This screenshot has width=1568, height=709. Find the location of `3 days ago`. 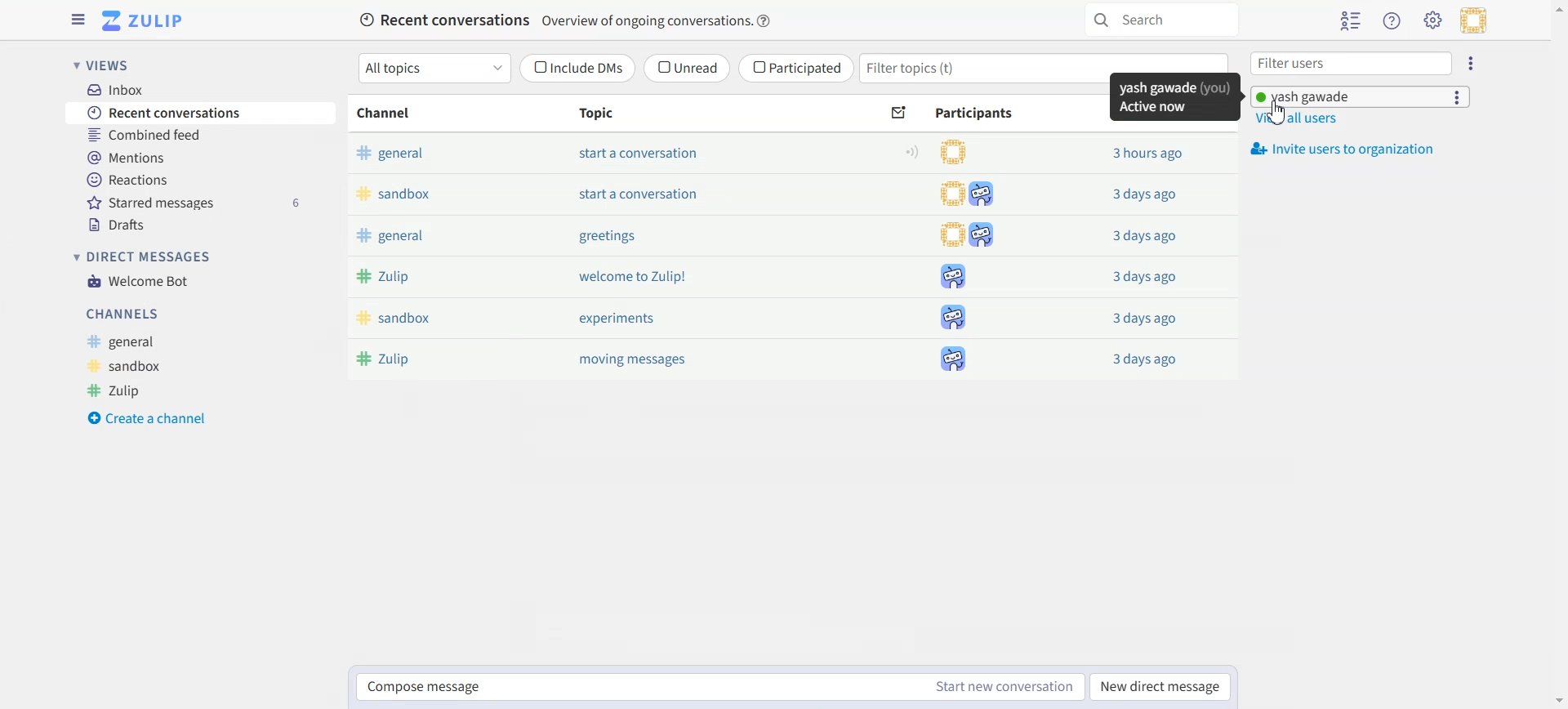

3 days ago is located at coordinates (1145, 236).